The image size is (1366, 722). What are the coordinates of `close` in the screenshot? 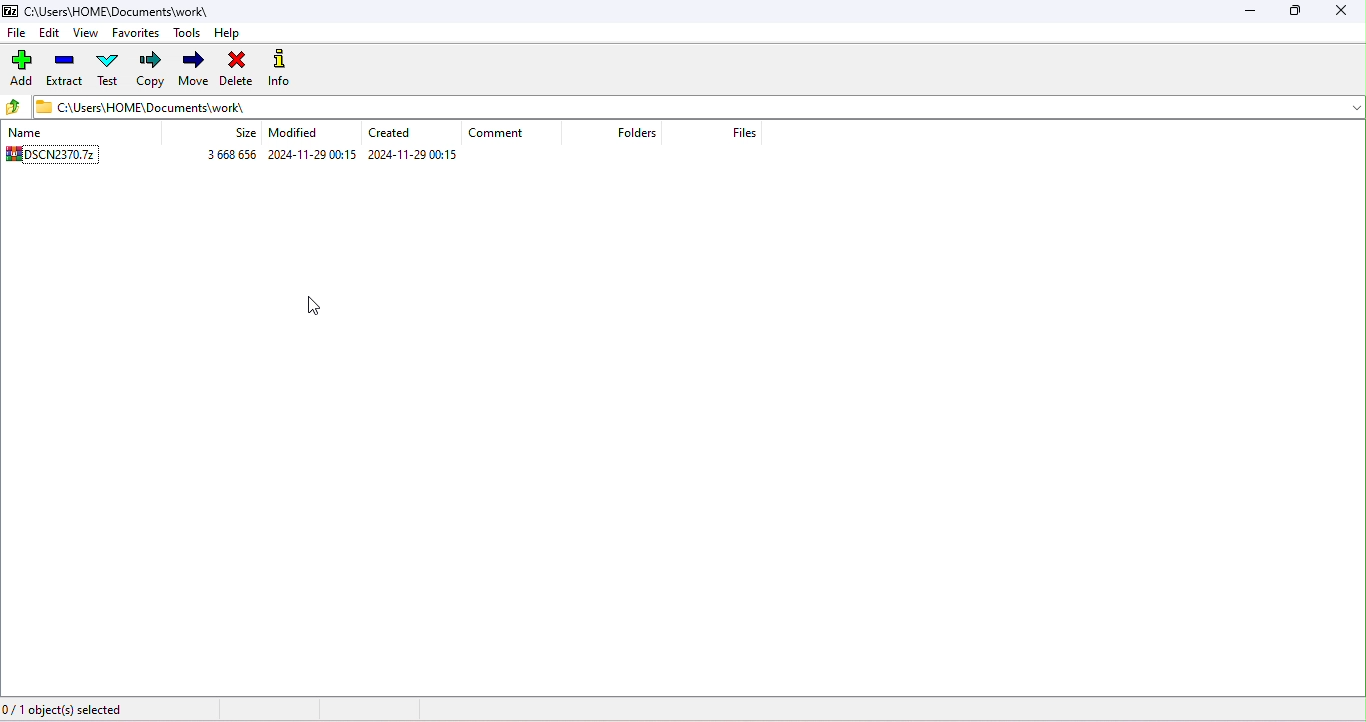 It's located at (1341, 12).